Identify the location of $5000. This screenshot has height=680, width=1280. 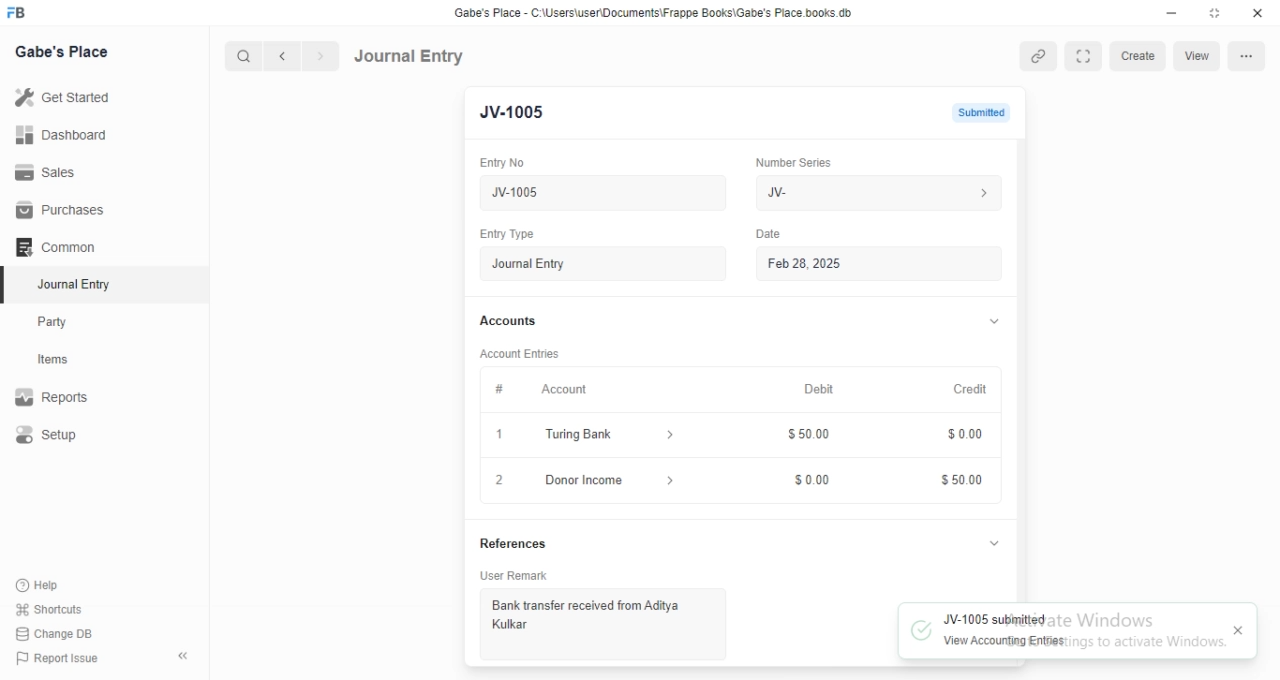
(964, 480).